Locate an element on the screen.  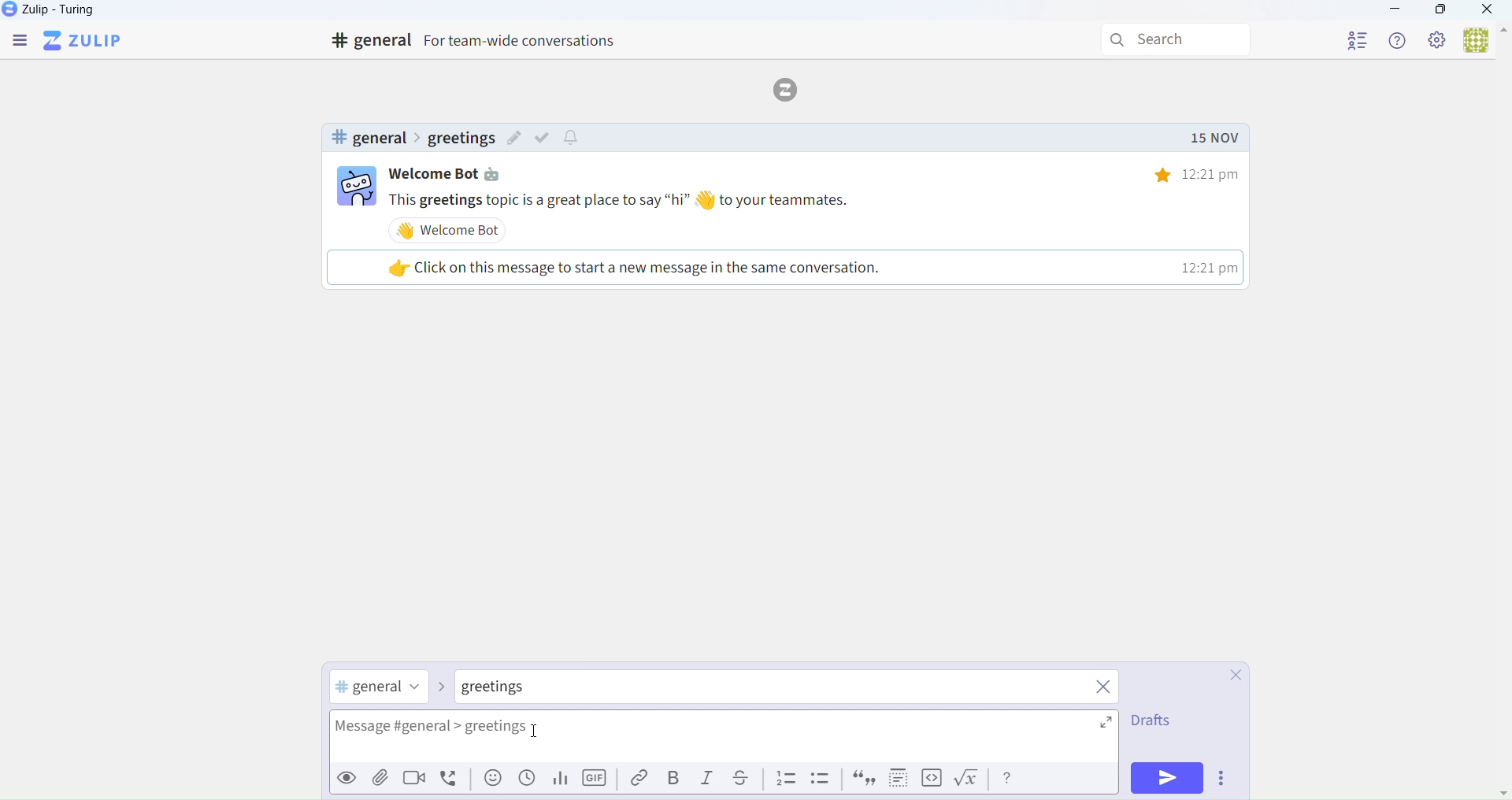
Voicecall is located at coordinates (452, 779).